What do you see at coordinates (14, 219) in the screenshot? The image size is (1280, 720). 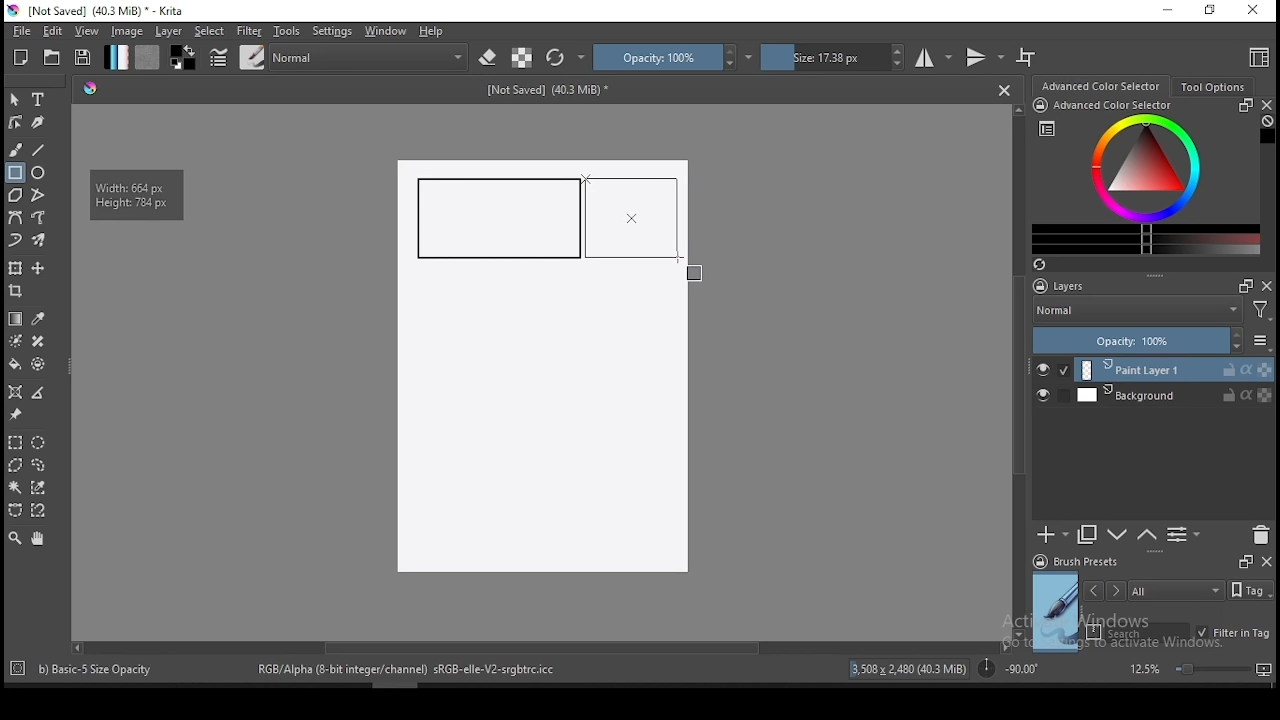 I see `bezier curve tool` at bounding box center [14, 219].